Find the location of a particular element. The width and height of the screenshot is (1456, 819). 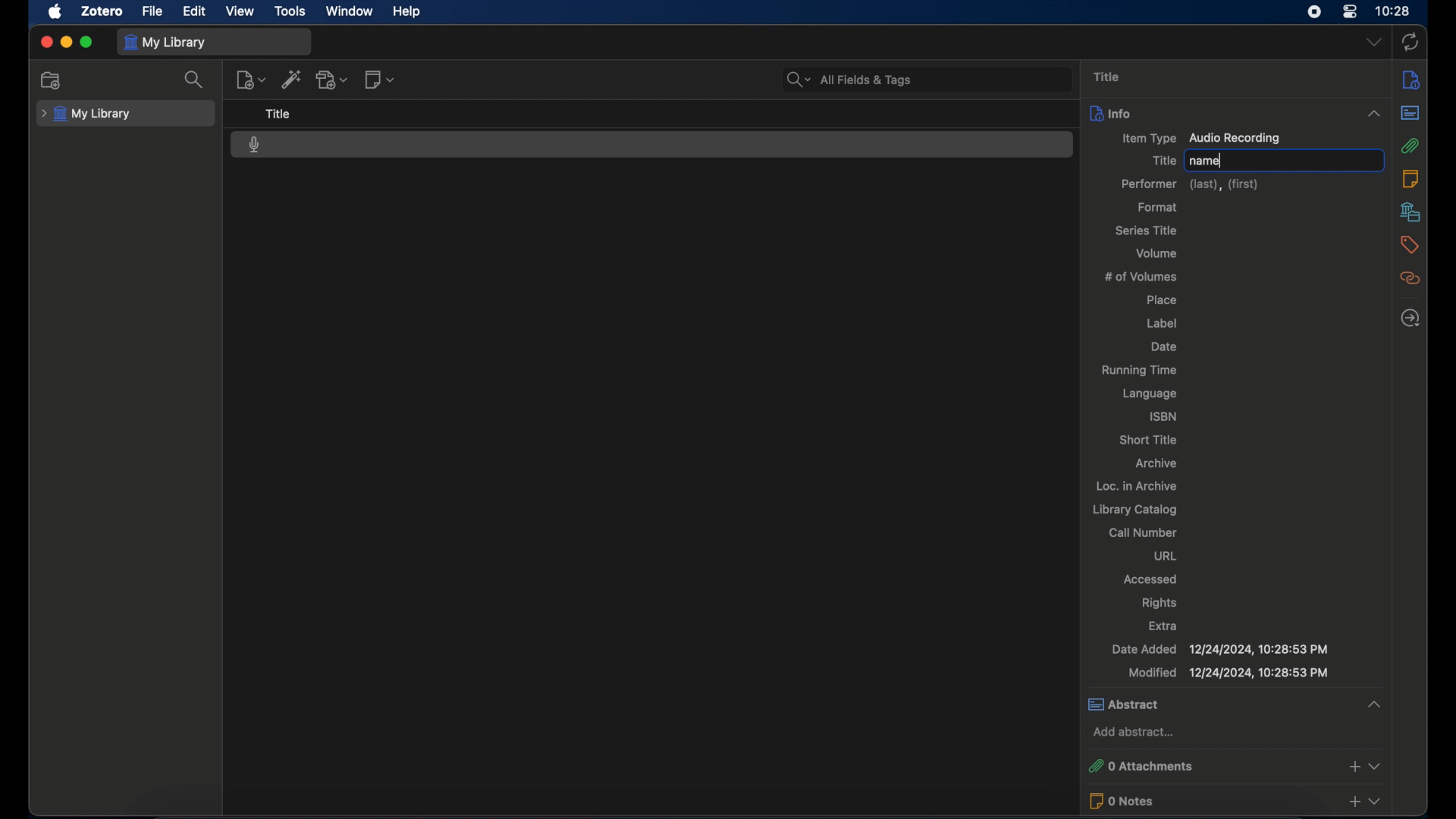

tags is located at coordinates (1410, 246).